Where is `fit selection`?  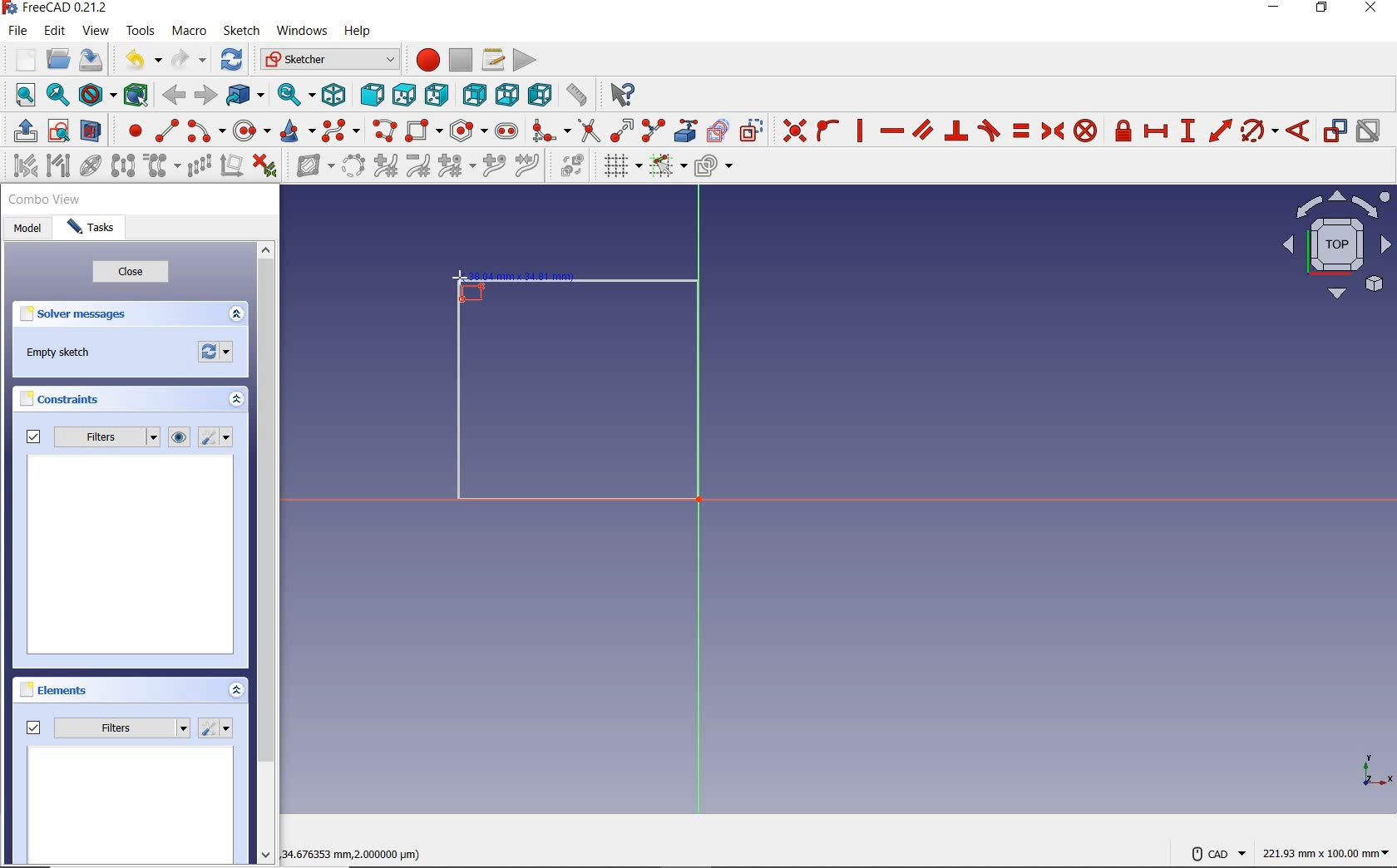
fit selection is located at coordinates (58, 96).